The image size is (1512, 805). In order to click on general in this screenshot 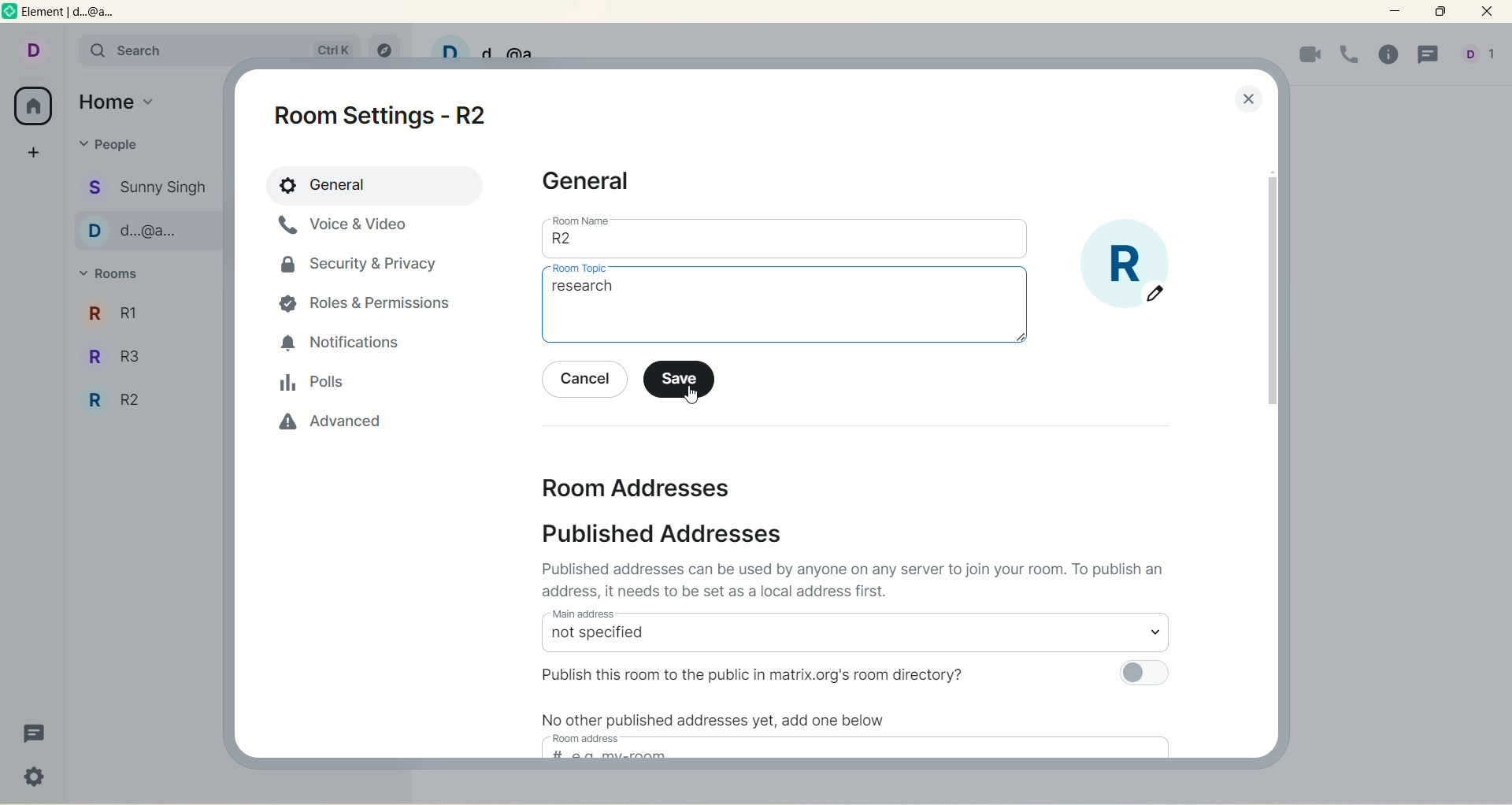, I will do `click(372, 185)`.